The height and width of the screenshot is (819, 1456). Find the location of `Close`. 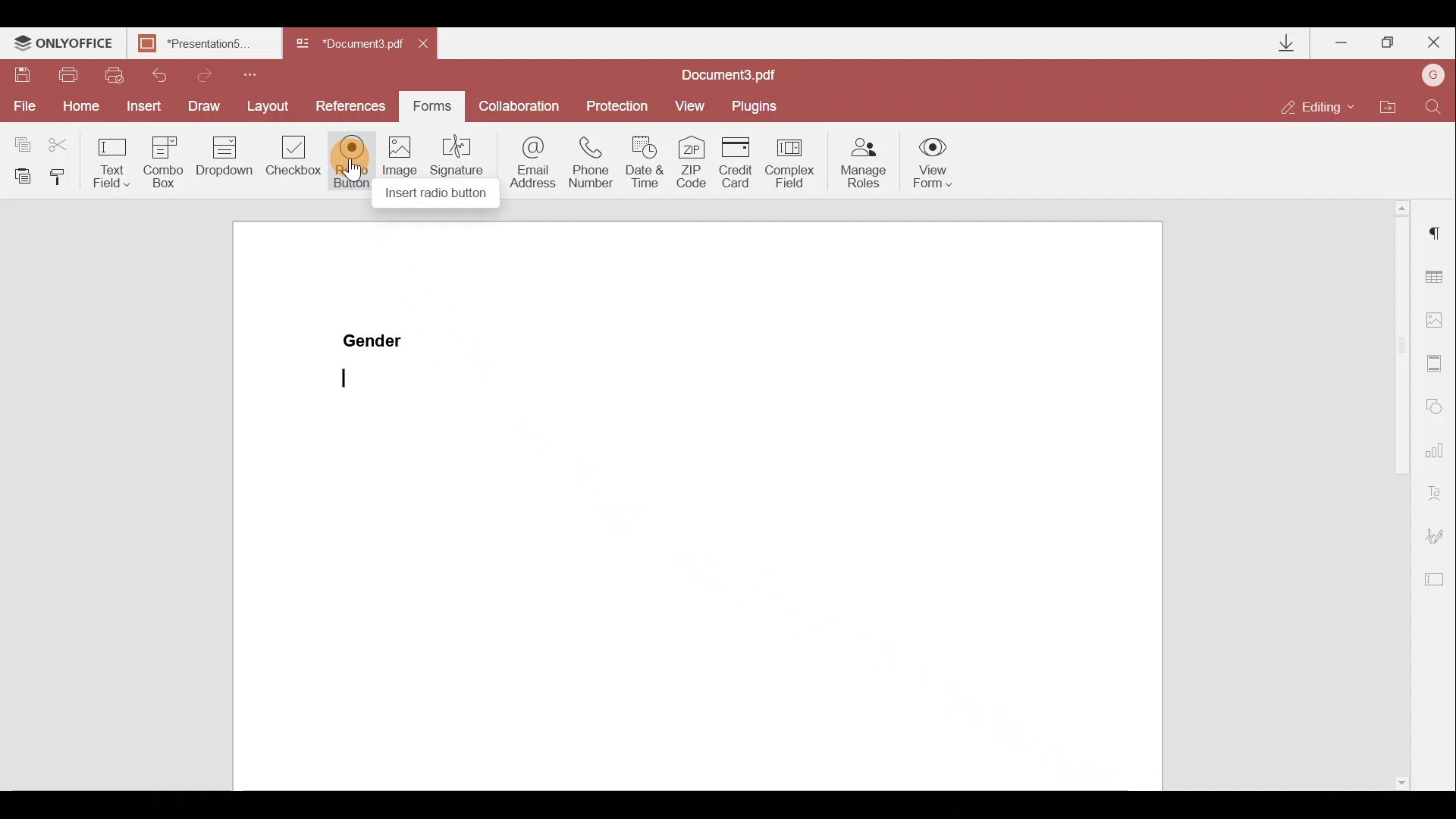

Close is located at coordinates (1434, 43).